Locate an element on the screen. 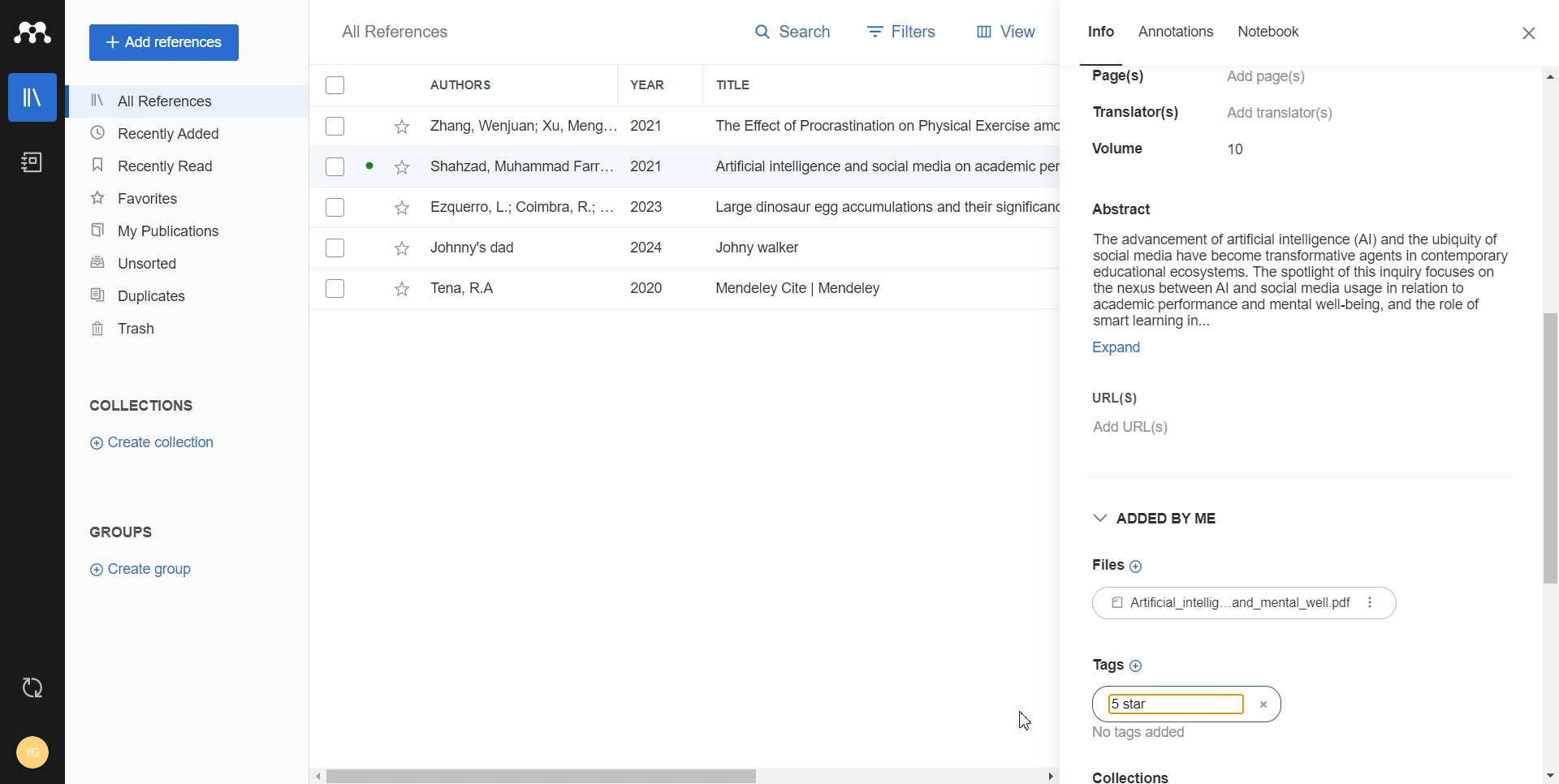 The height and width of the screenshot is (784, 1559). Notebook is located at coordinates (32, 162).